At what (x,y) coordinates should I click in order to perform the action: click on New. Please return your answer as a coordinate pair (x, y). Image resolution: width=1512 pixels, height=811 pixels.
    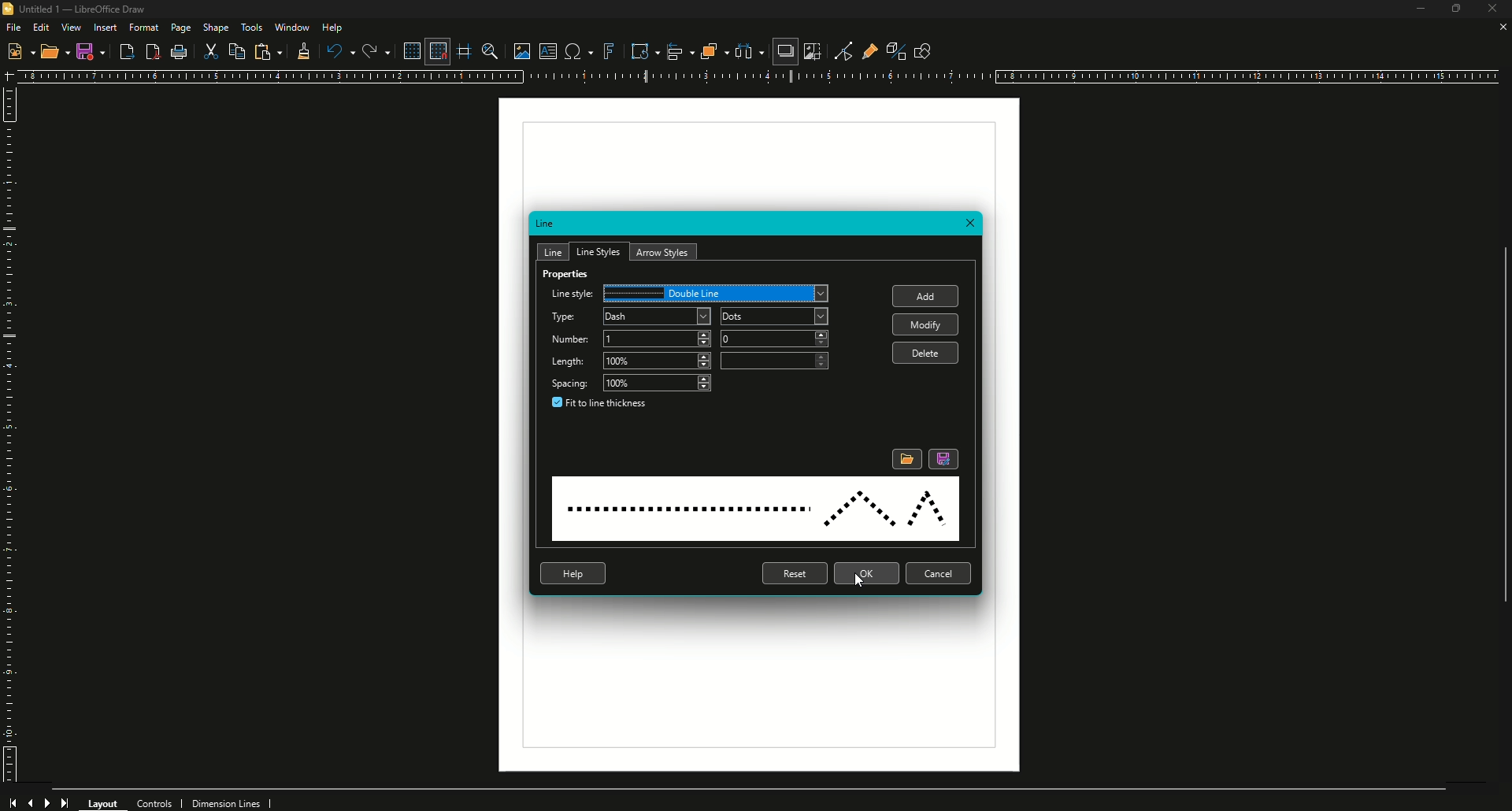
    Looking at the image, I should click on (20, 50).